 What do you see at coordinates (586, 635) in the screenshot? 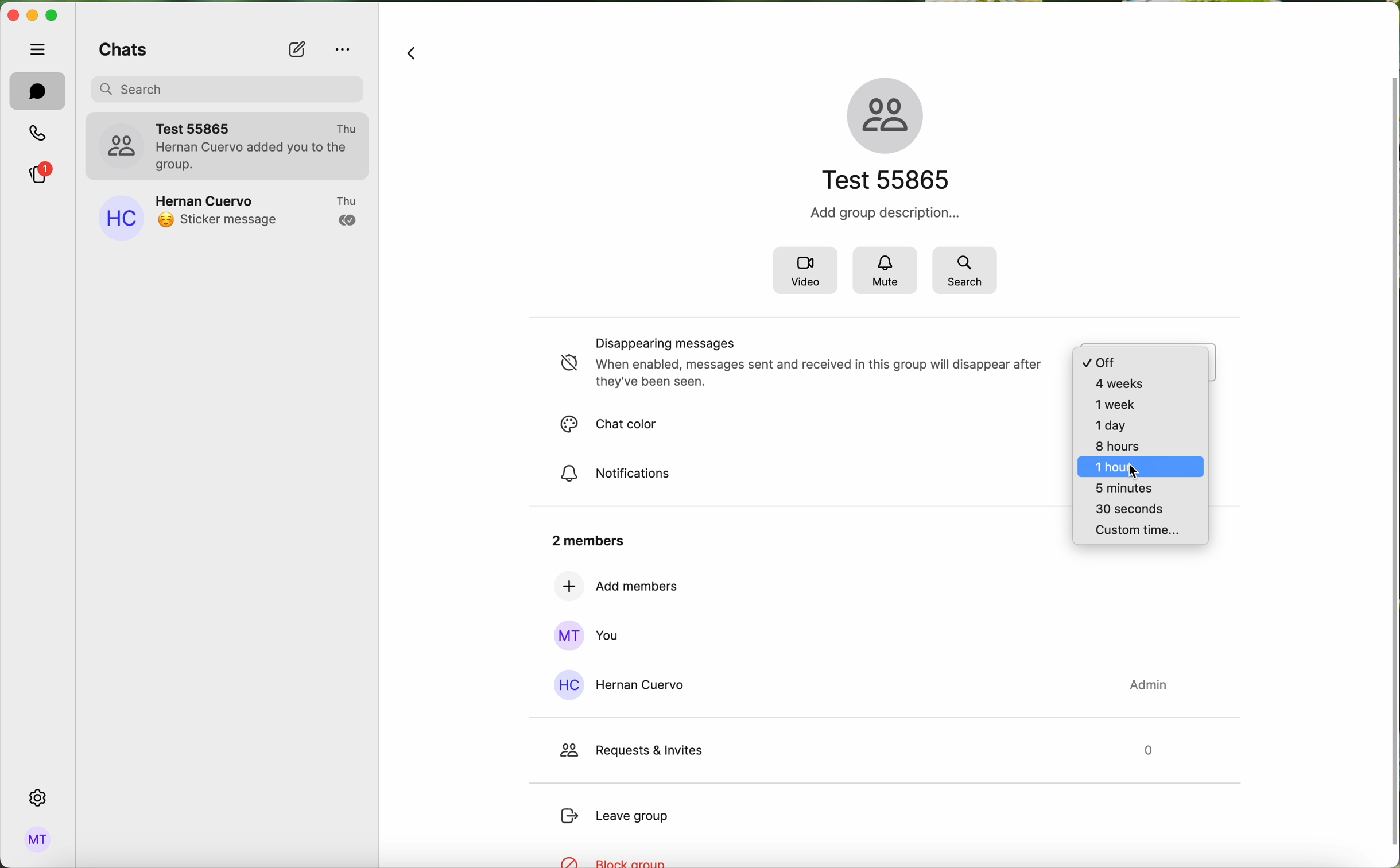
I see `you` at bounding box center [586, 635].